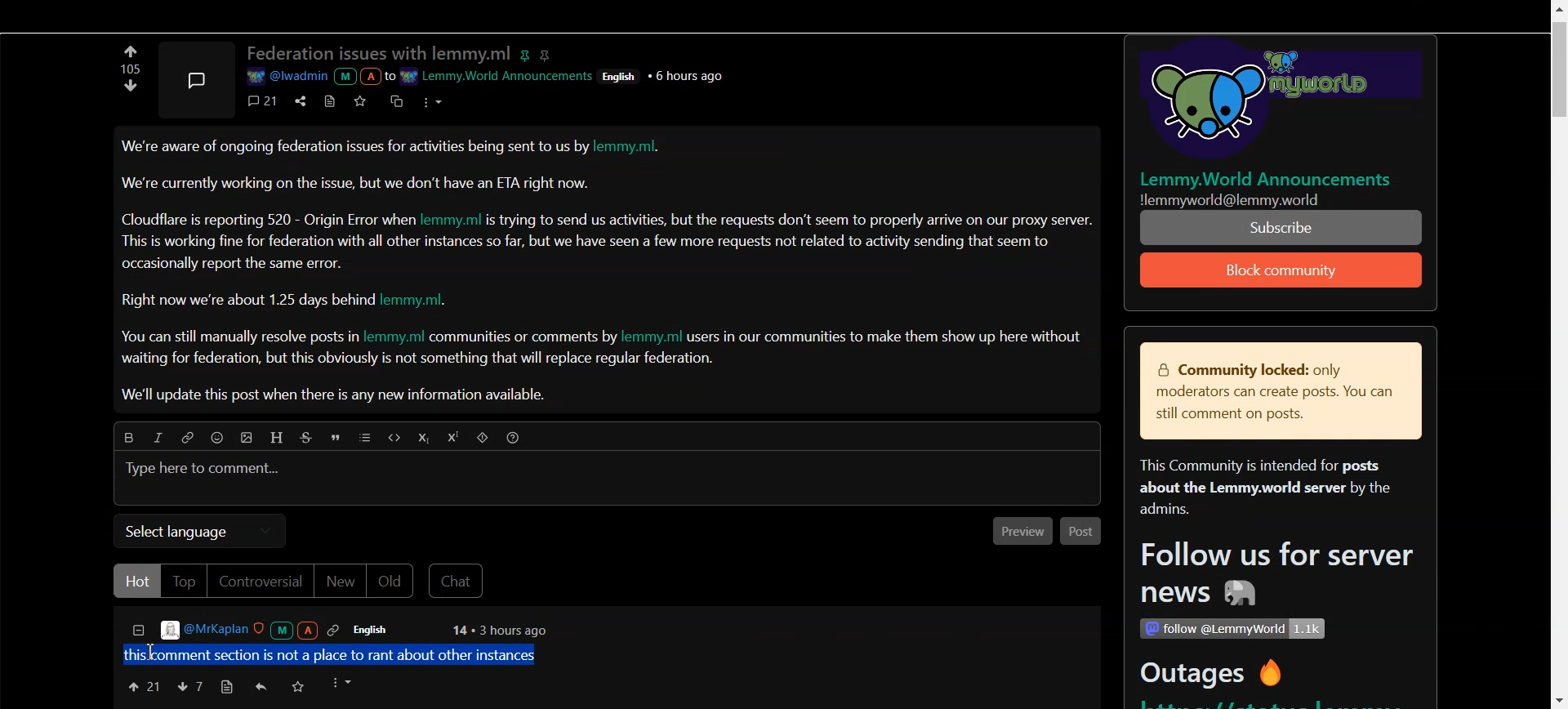  I want to click on English, so click(381, 630).